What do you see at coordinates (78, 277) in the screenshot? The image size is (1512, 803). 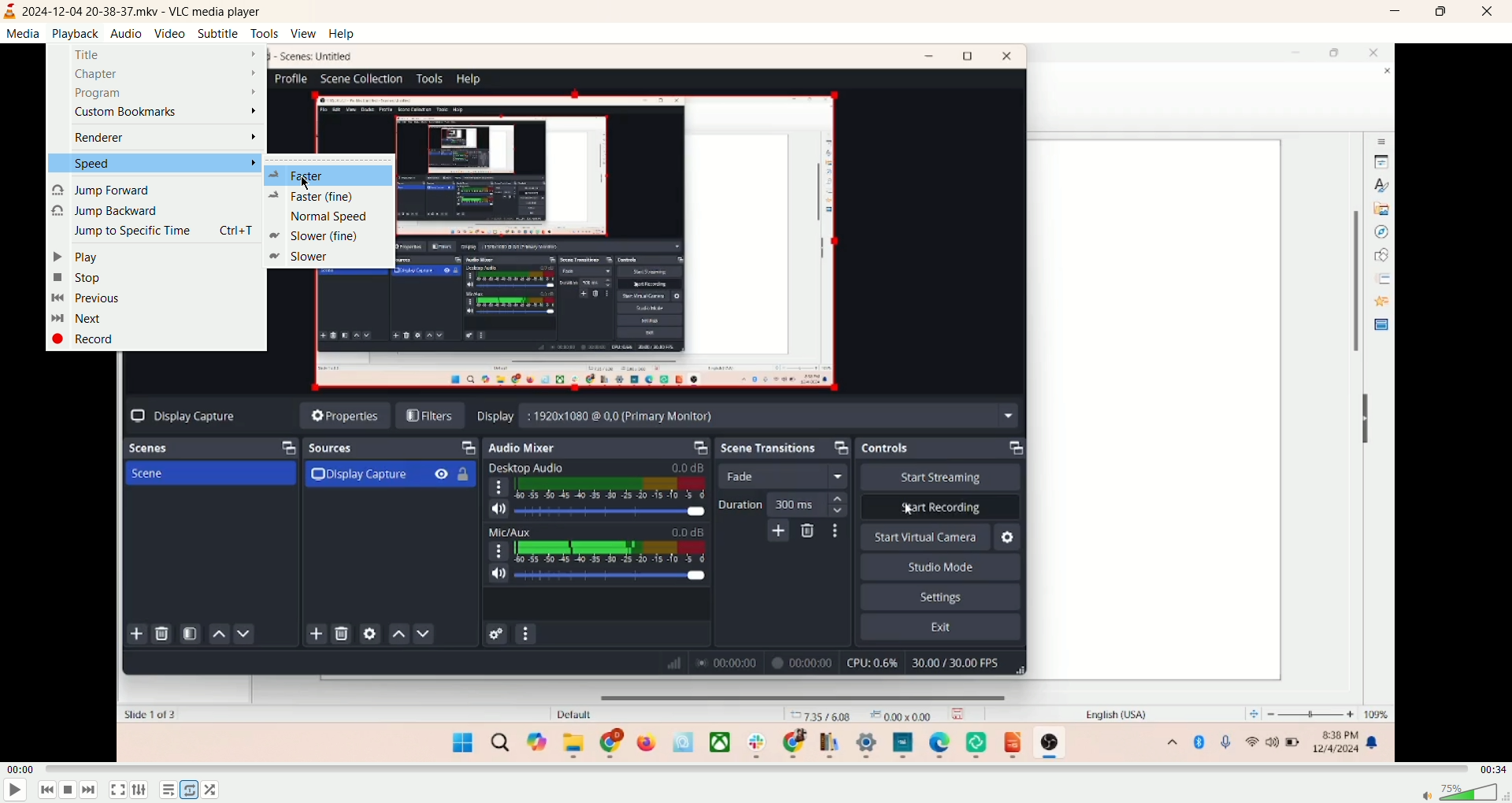 I see `stop` at bounding box center [78, 277].